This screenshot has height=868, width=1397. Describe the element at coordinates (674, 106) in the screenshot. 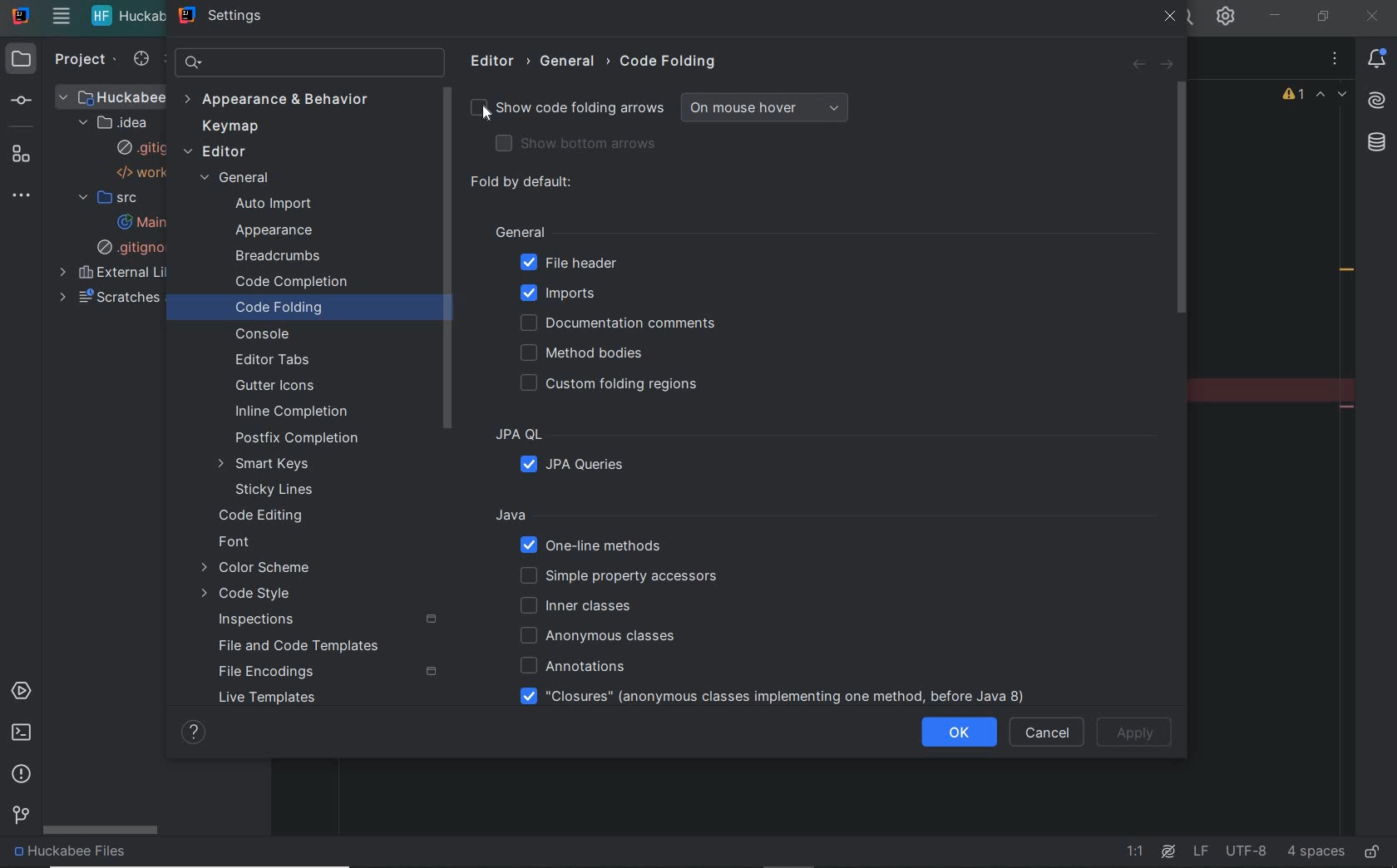

I see `show code folding arrows` at that location.